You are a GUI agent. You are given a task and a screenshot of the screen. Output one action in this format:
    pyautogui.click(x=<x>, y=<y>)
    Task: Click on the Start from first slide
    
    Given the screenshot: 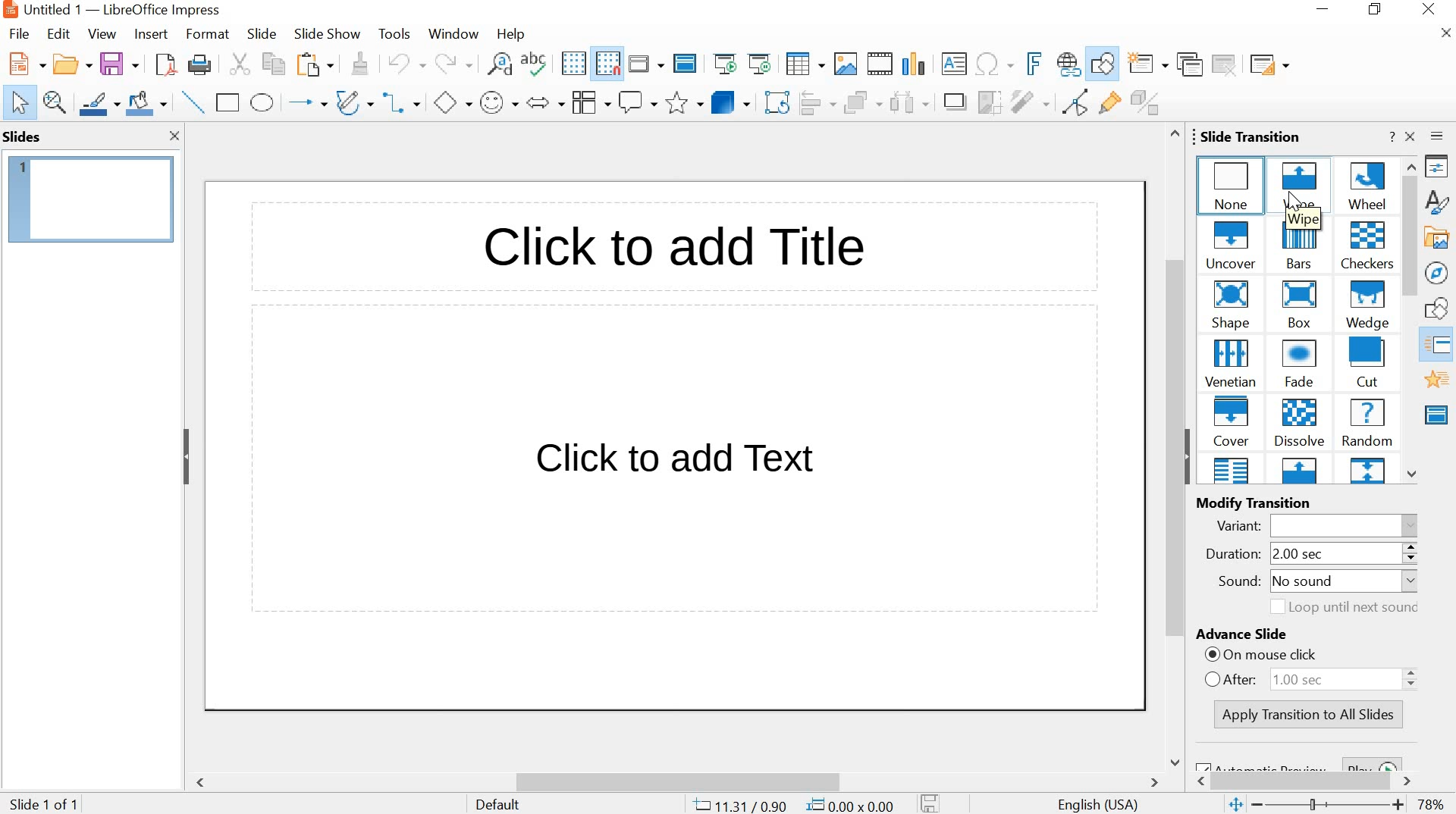 What is the action you would take?
    pyautogui.click(x=723, y=63)
    